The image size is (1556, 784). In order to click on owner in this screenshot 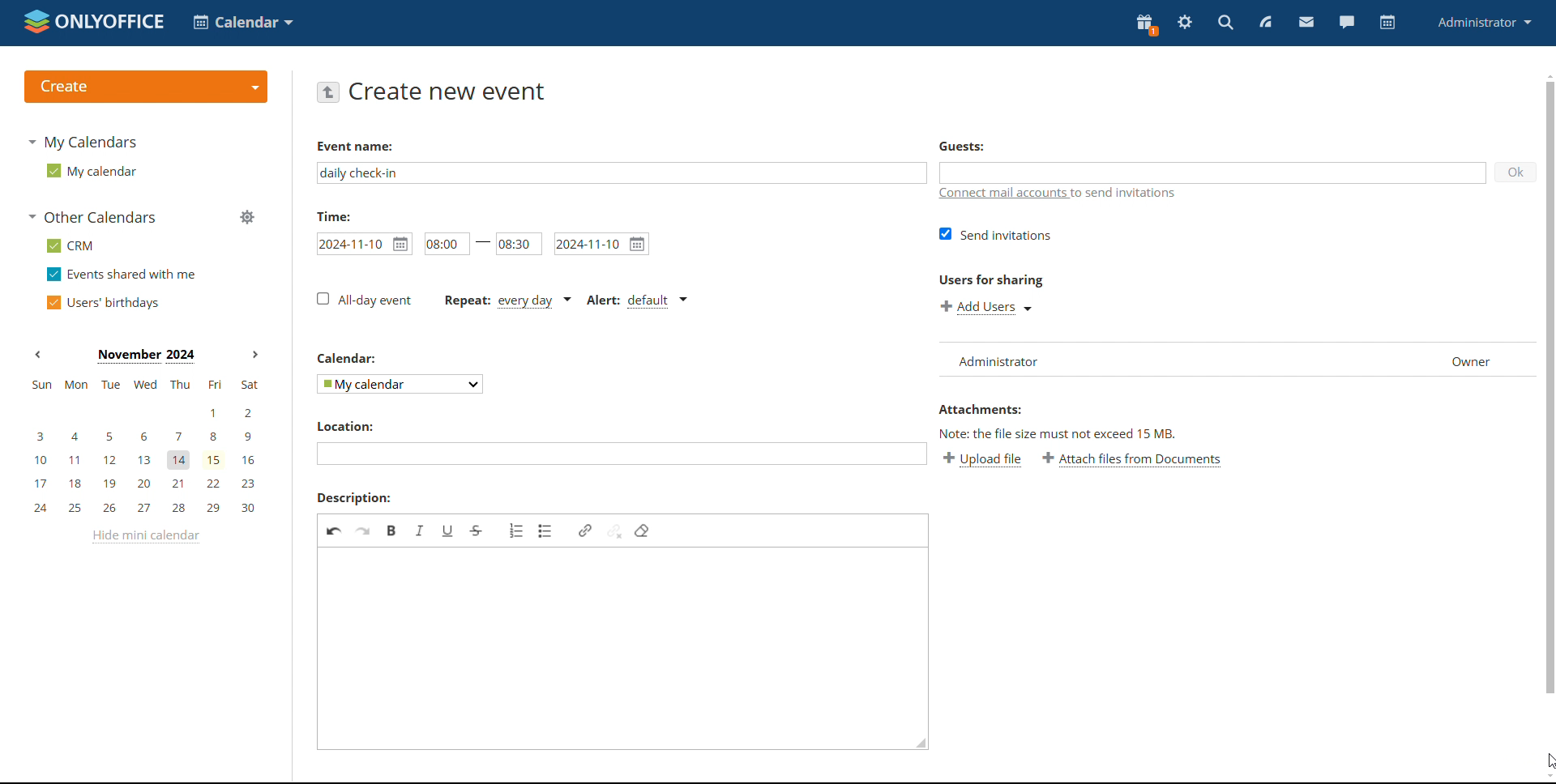, I will do `click(1472, 360)`.